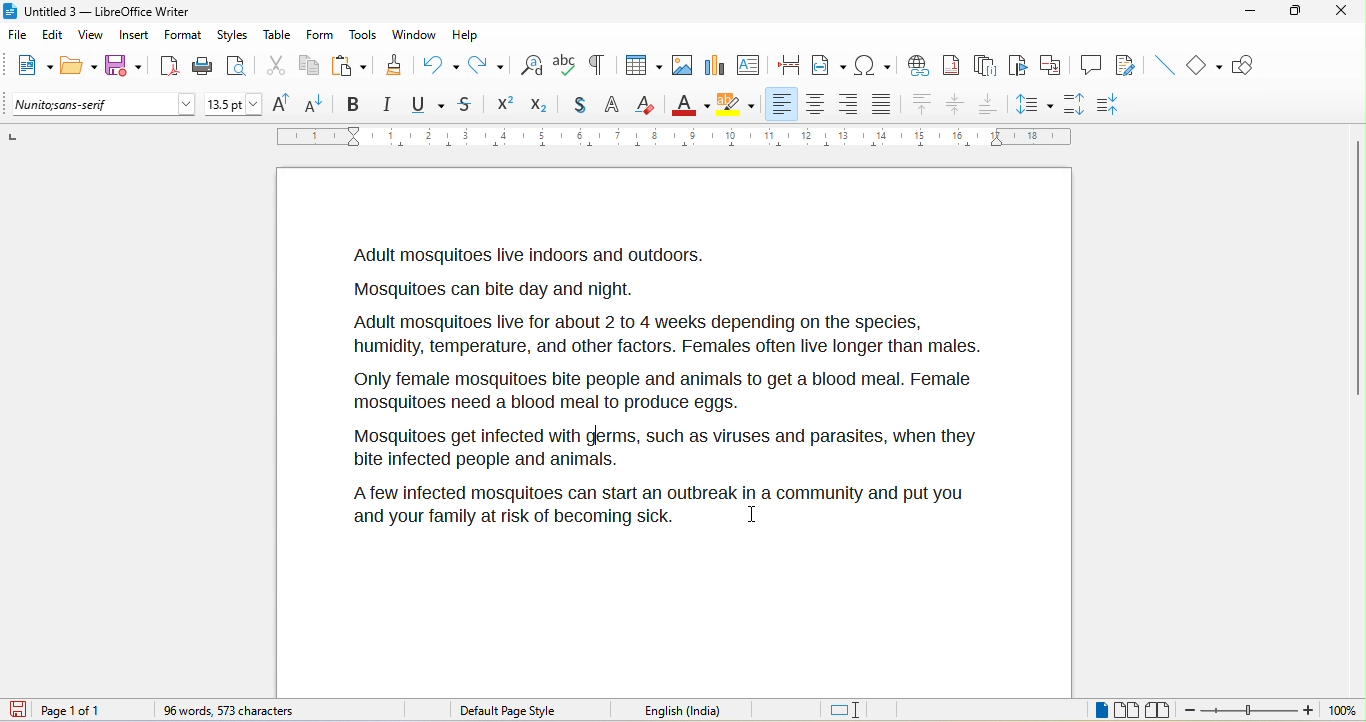  What do you see at coordinates (690, 709) in the screenshot?
I see `English (India)` at bounding box center [690, 709].